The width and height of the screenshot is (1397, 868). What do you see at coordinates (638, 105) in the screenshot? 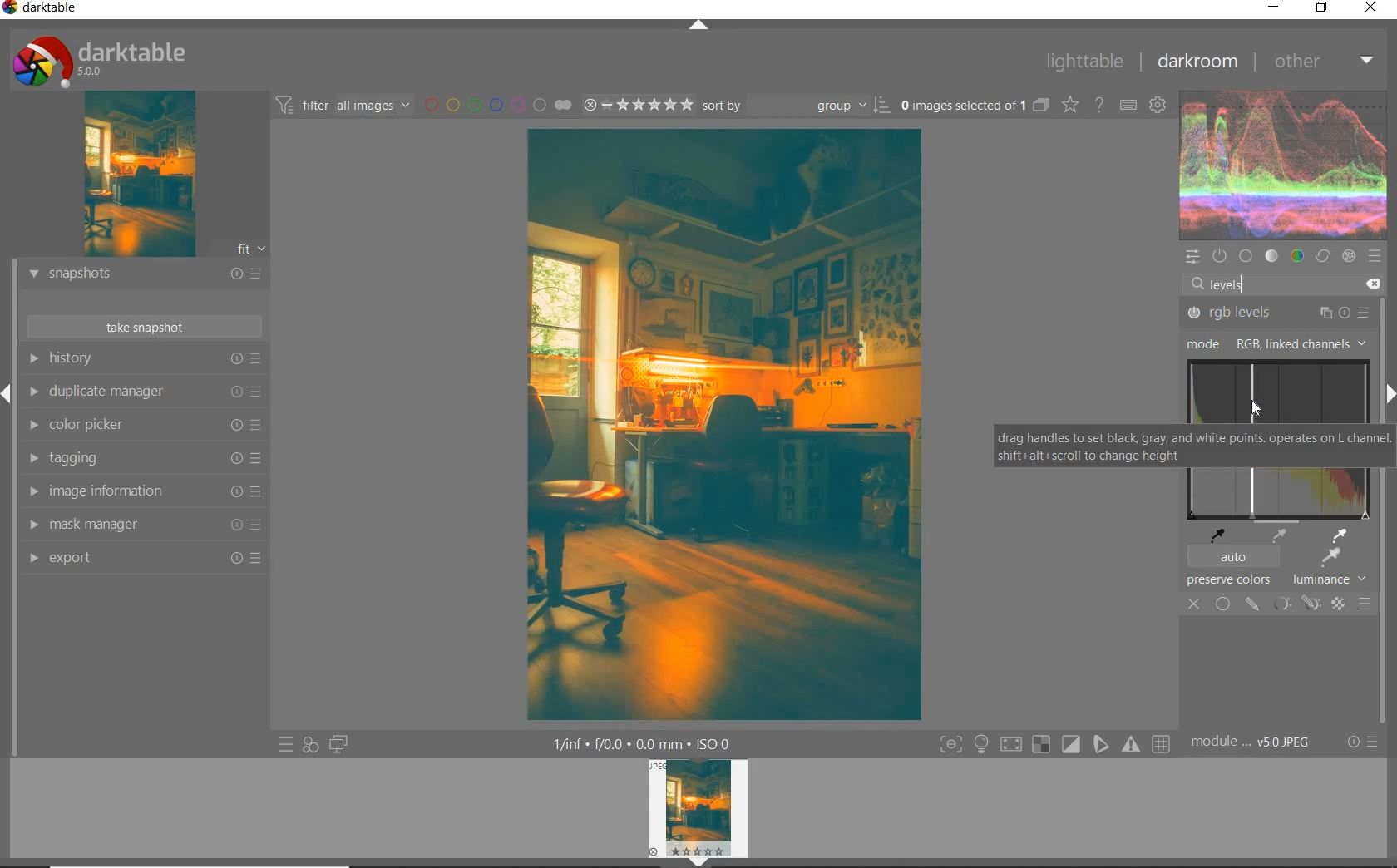
I see `range rating of selected images` at bounding box center [638, 105].